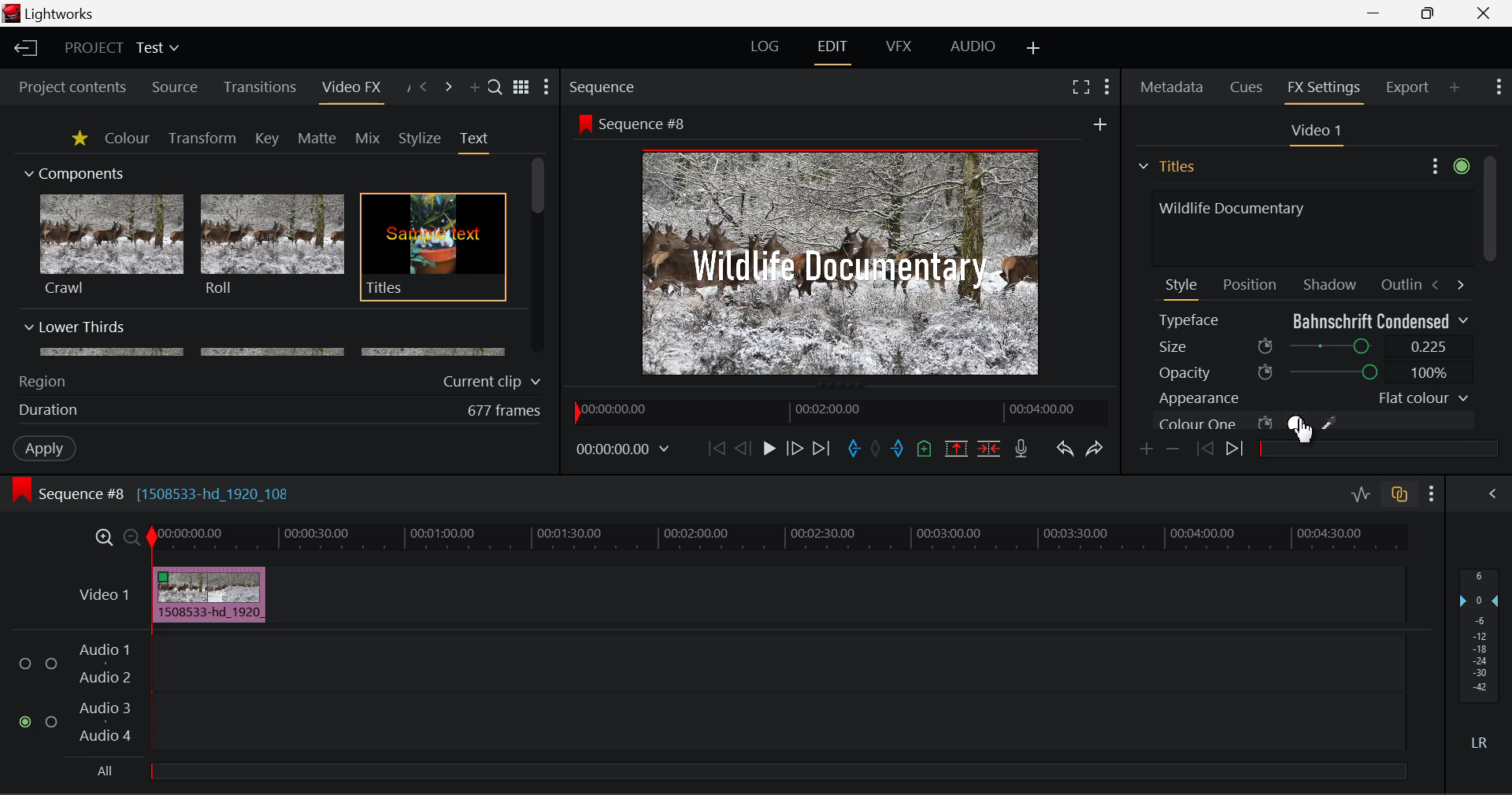 The image size is (1512, 795). Describe the element at coordinates (839, 409) in the screenshot. I see `Project Timeline Navigator` at that location.